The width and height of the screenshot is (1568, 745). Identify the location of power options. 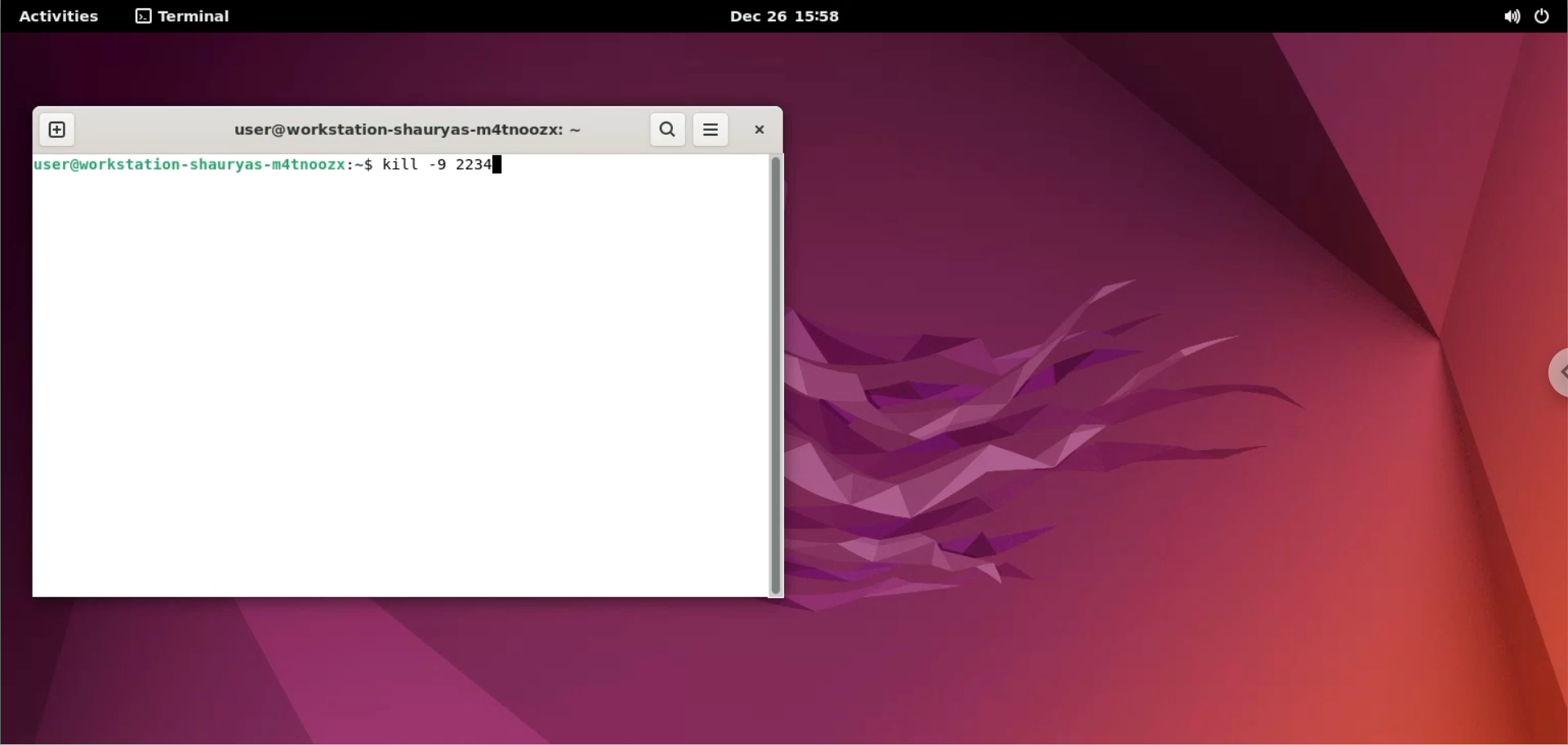
(1543, 16).